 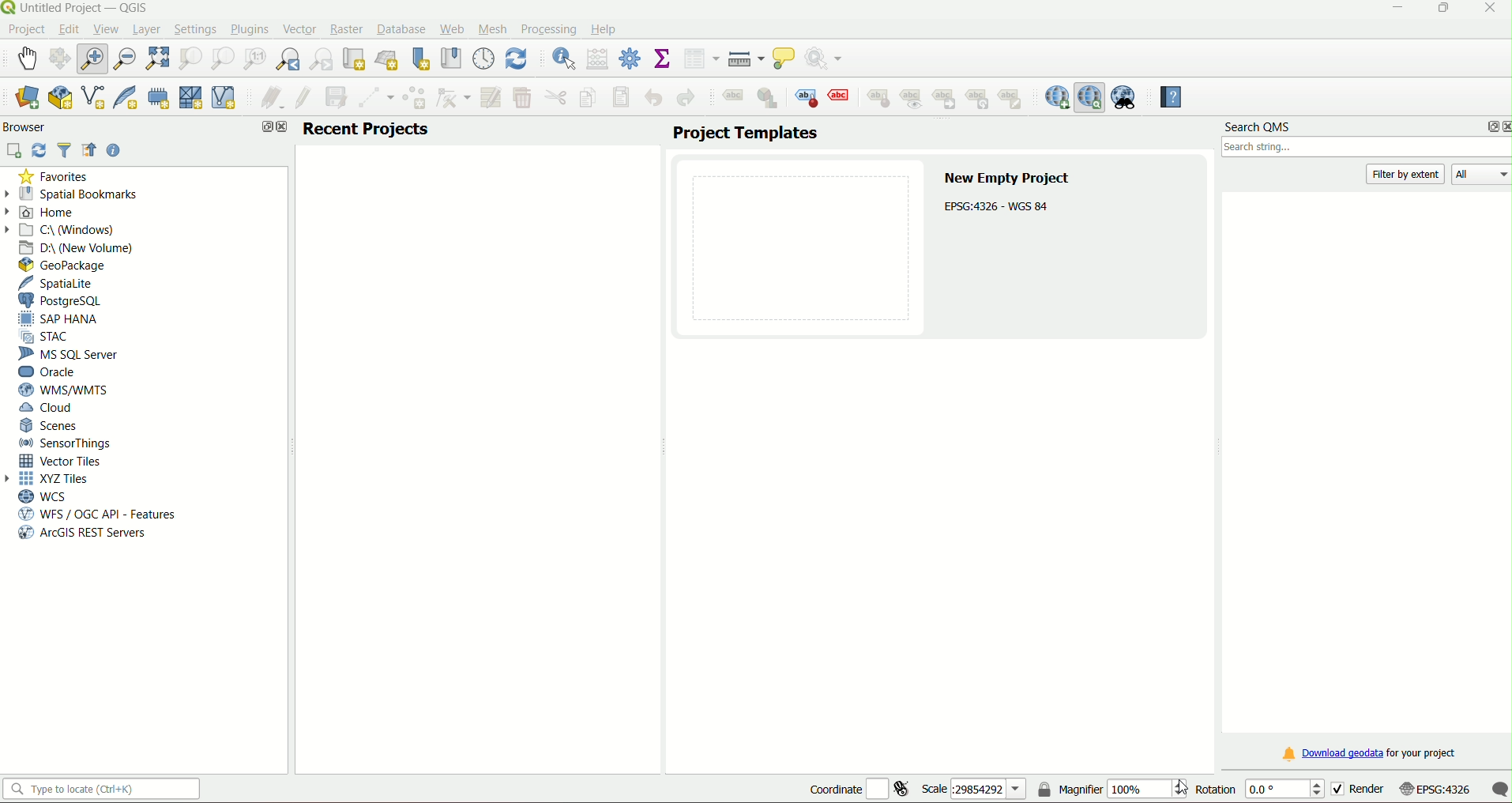 What do you see at coordinates (1367, 754) in the screenshot?
I see `download link` at bounding box center [1367, 754].